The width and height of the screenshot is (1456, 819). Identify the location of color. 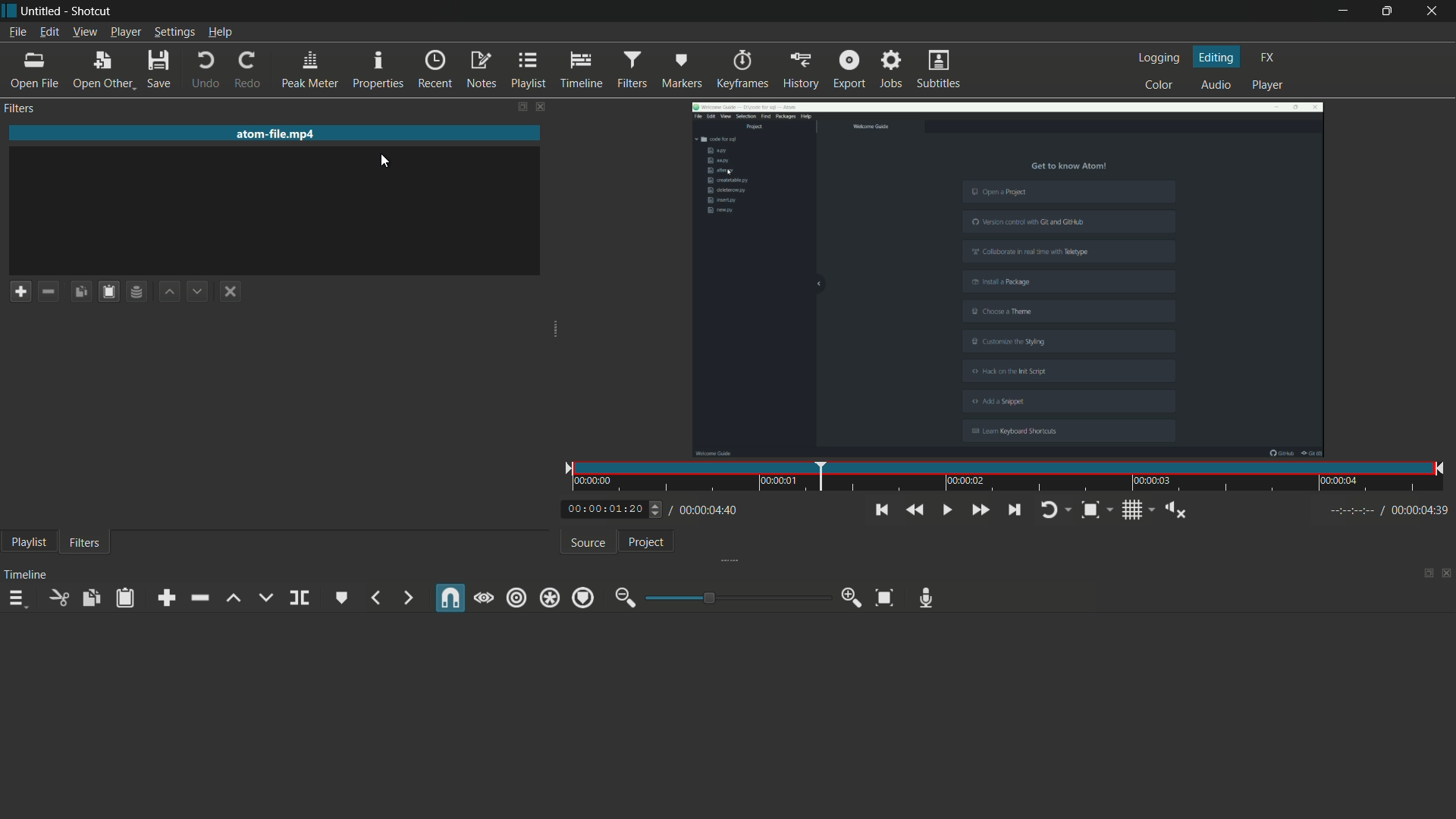
(1159, 86).